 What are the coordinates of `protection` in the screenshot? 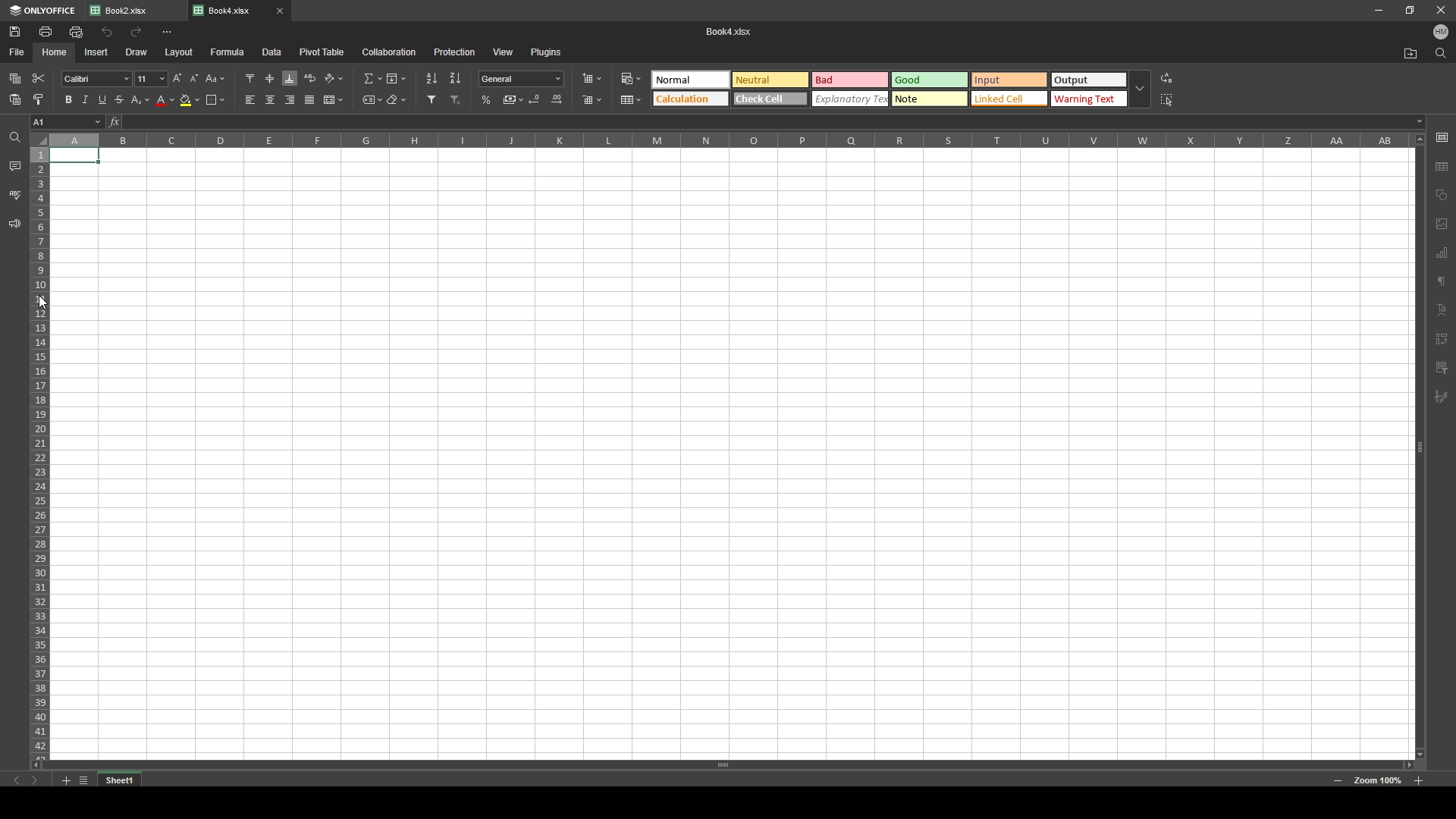 It's located at (455, 52).